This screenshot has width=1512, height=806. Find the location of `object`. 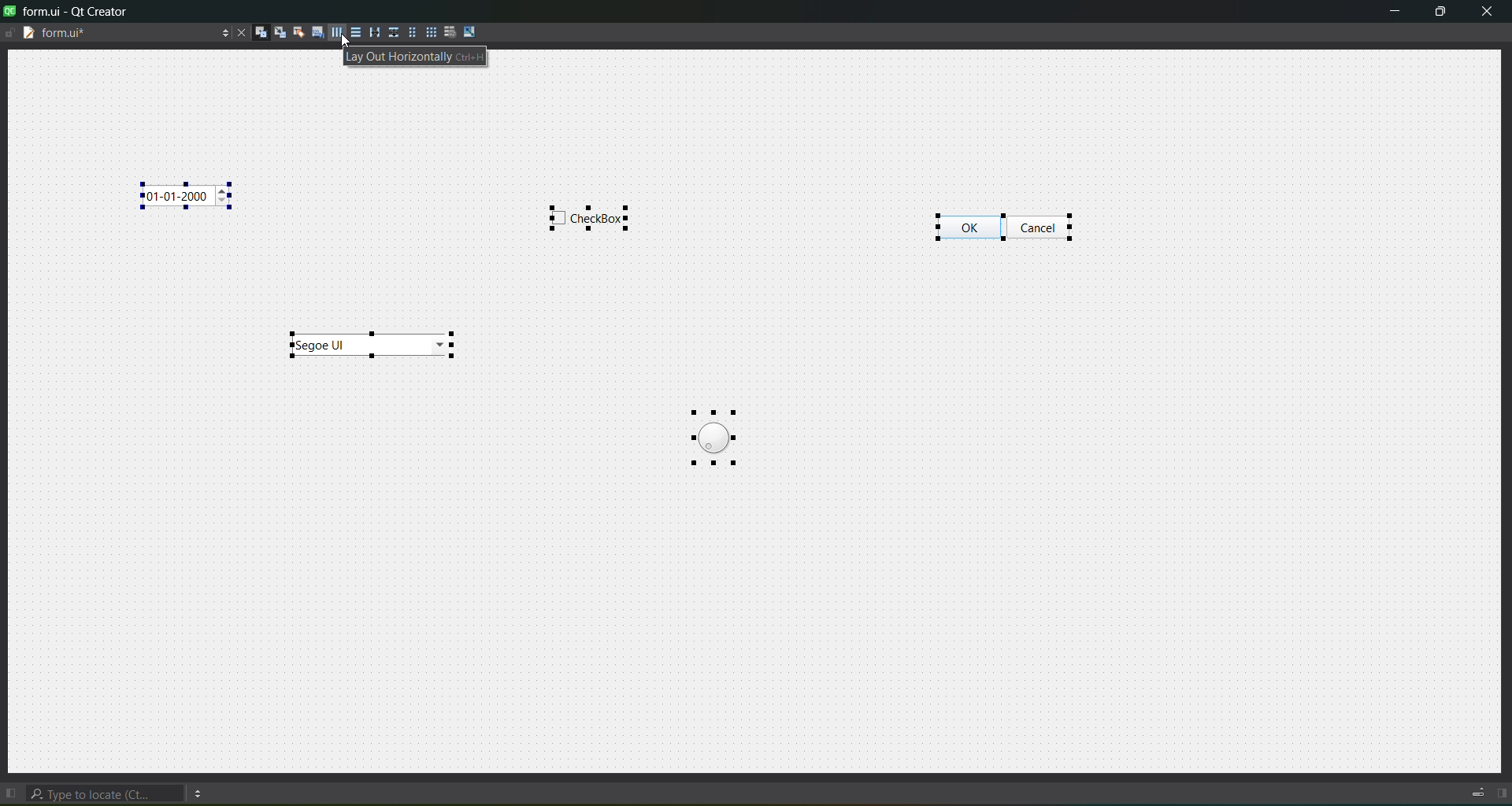

object is located at coordinates (367, 343).